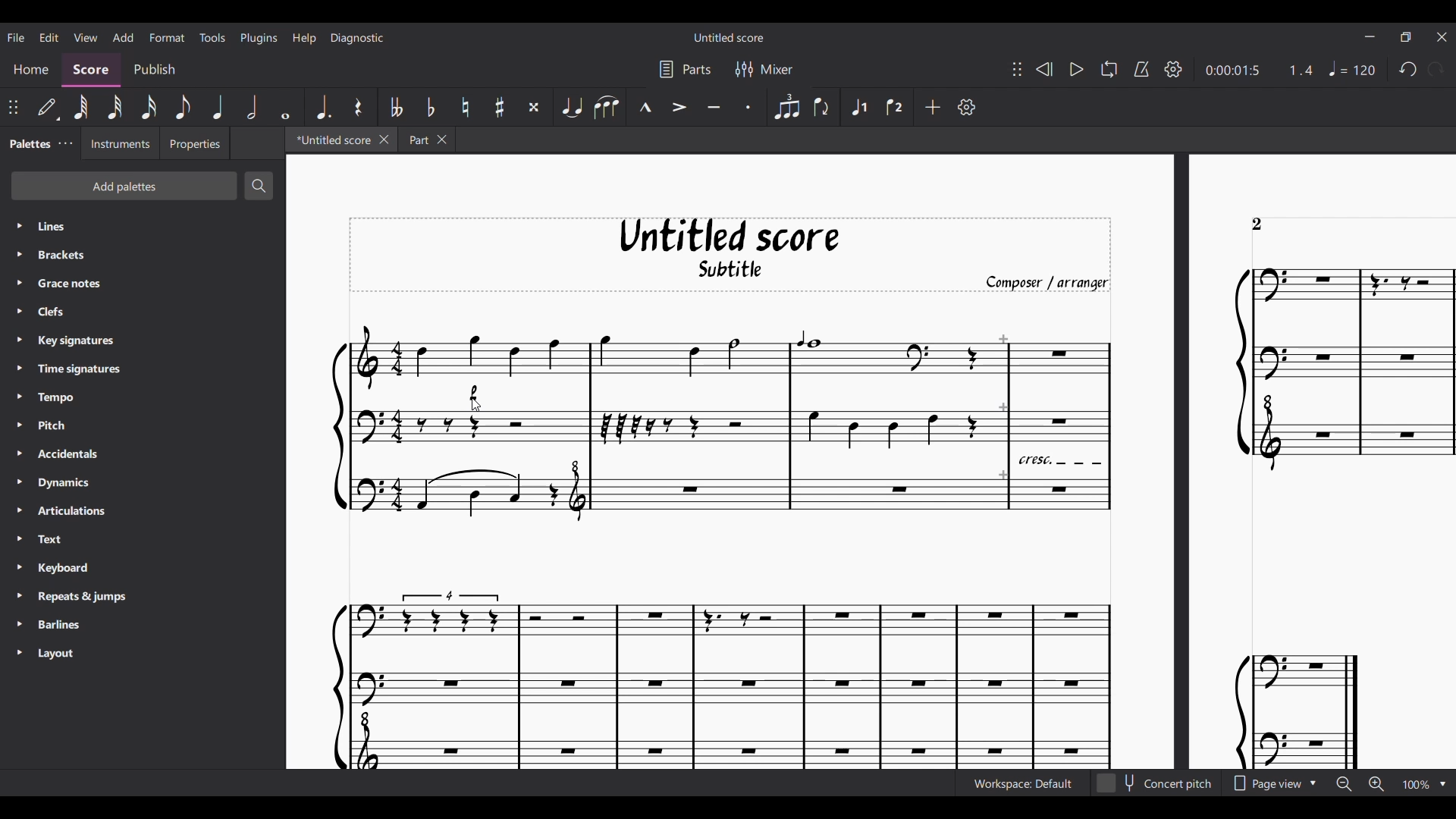  I want to click on Parts settings, so click(686, 69).